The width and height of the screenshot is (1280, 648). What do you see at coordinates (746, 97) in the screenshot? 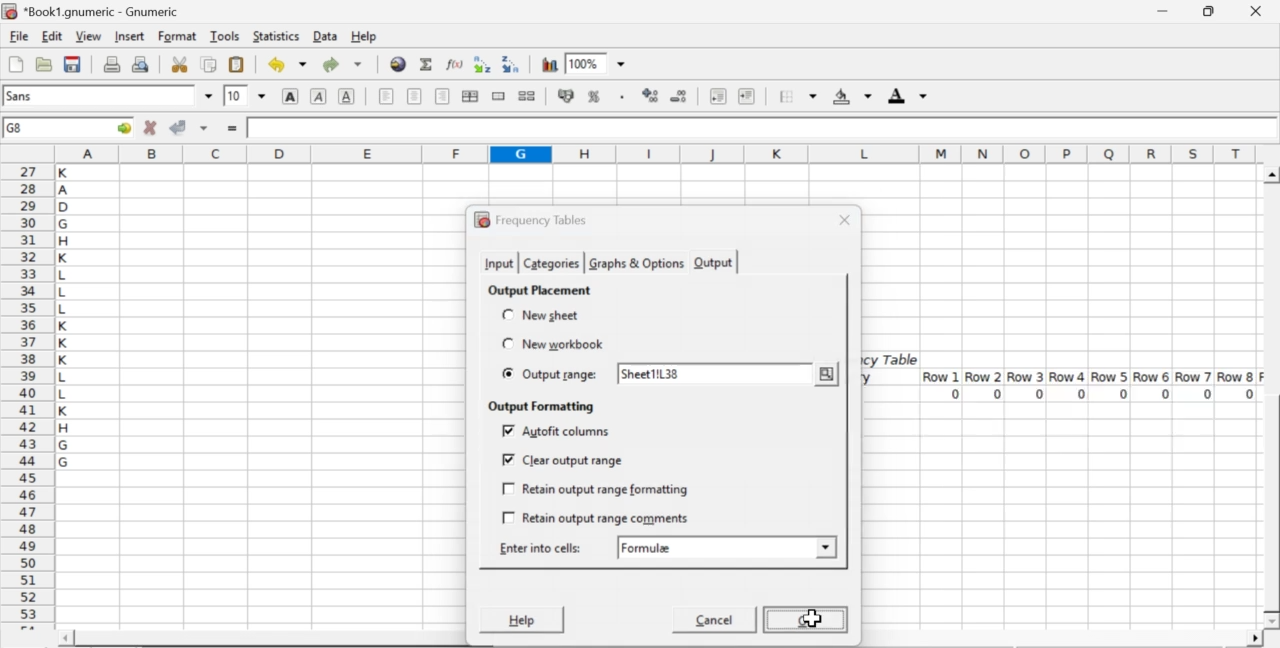
I see `increase indent` at bounding box center [746, 97].